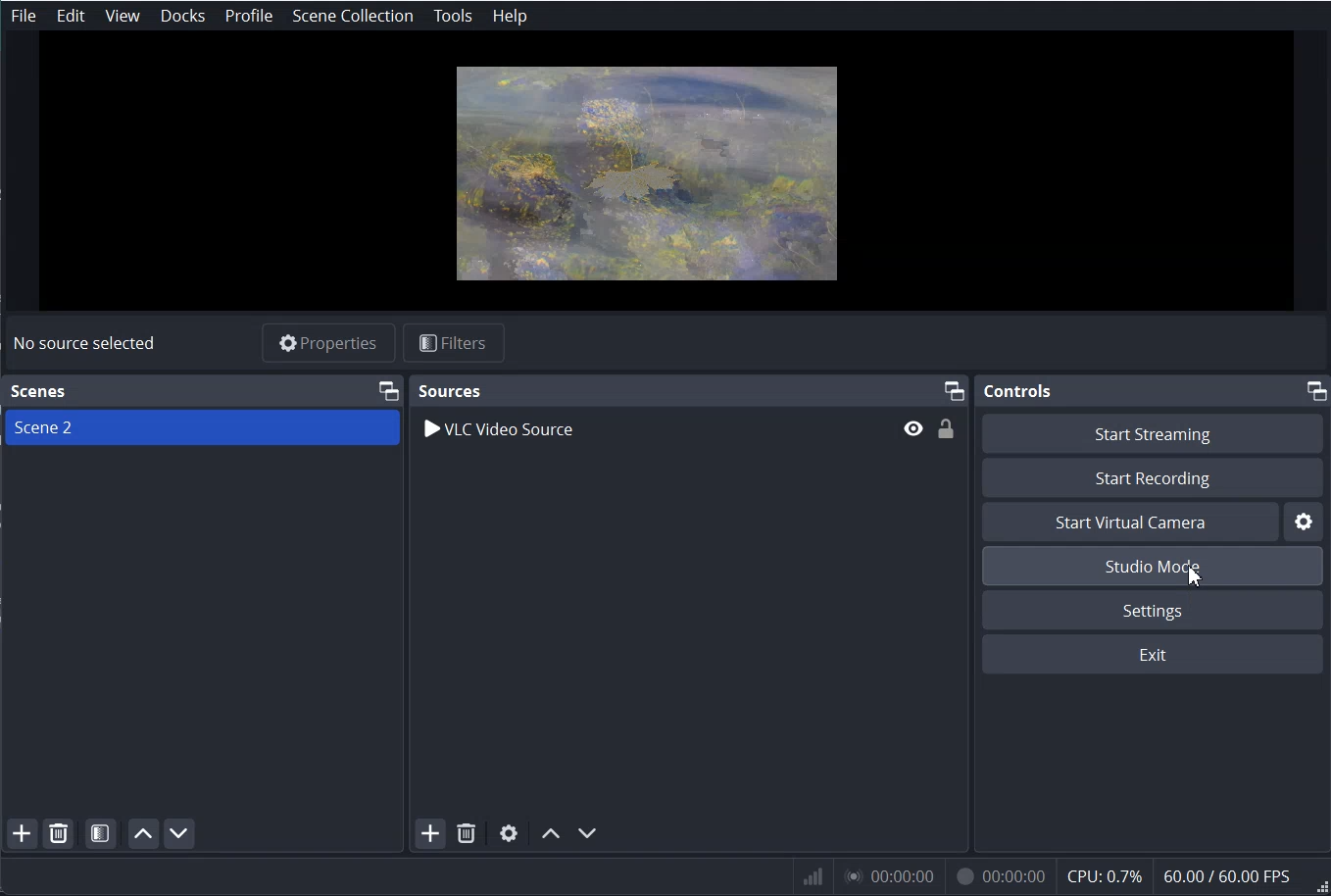 The width and height of the screenshot is (1331, 896). Describe the element at coordinates (1156, 431) in the screenshot. I see `Start Streaming` at that location.